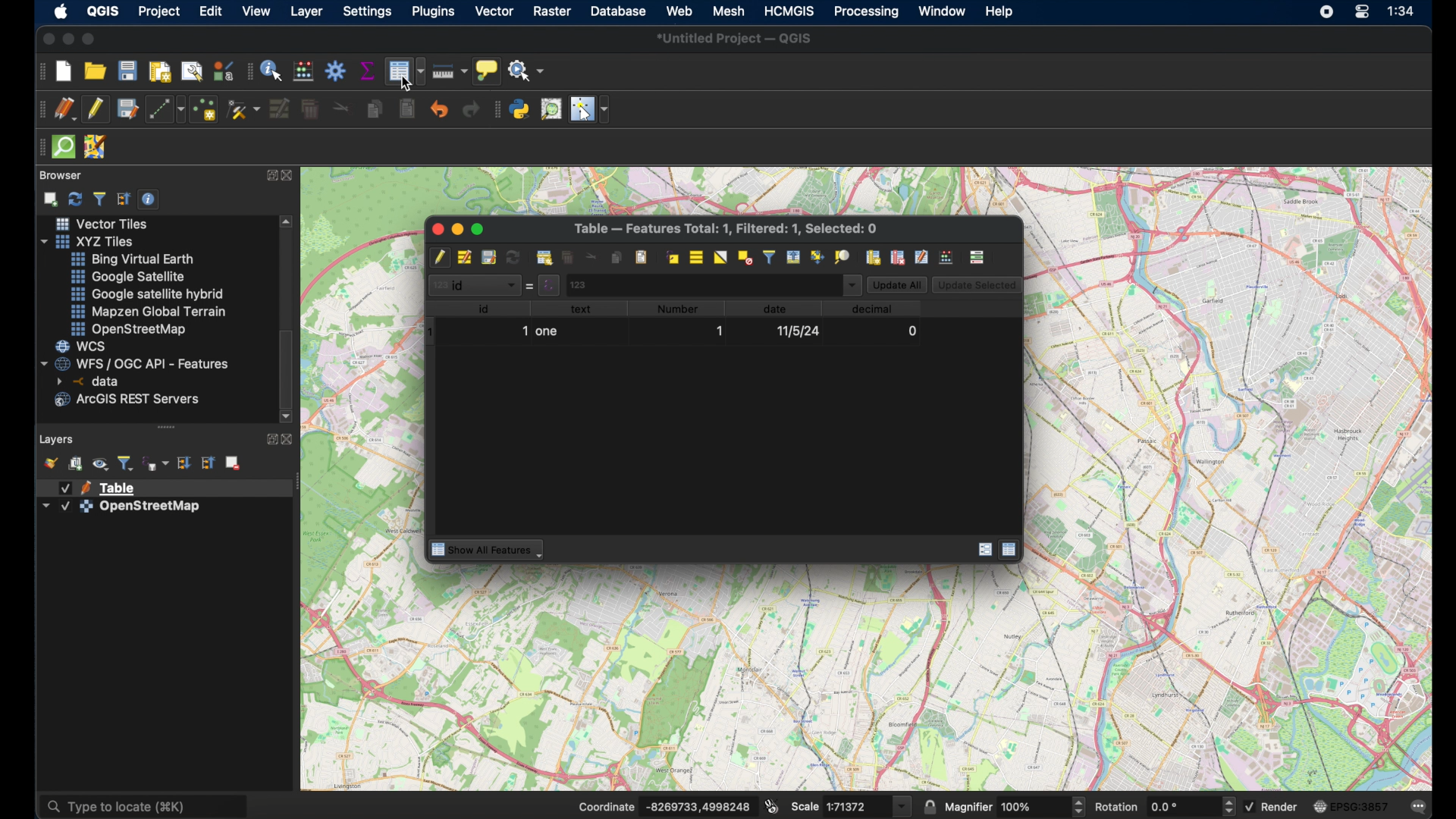  I want to click on filter legend, so click(126, 461).